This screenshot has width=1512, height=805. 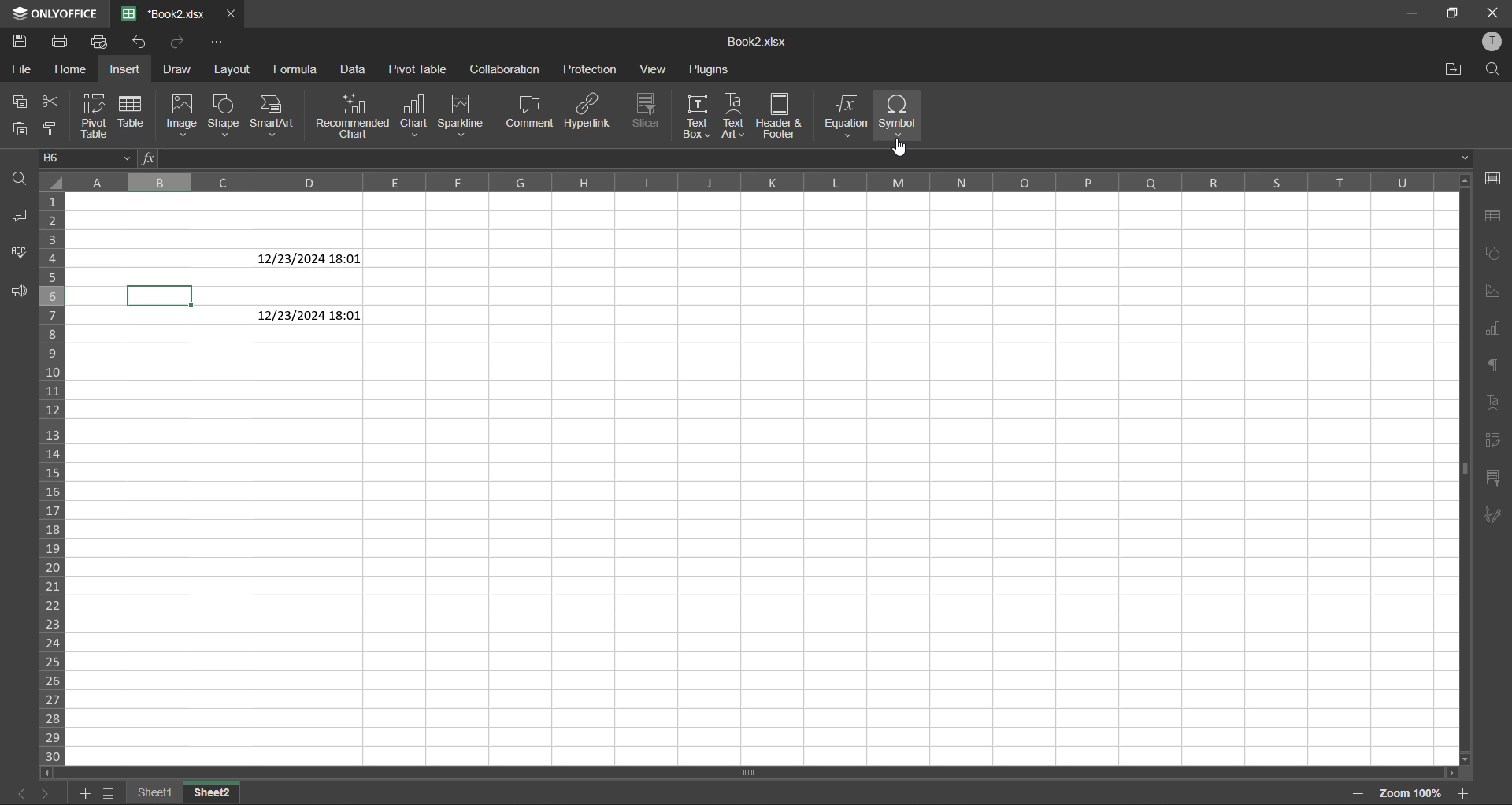 What do you see at coordinates (1496, 515) in the screenshot?
I see `signature` at bounding box center [1496, 515].